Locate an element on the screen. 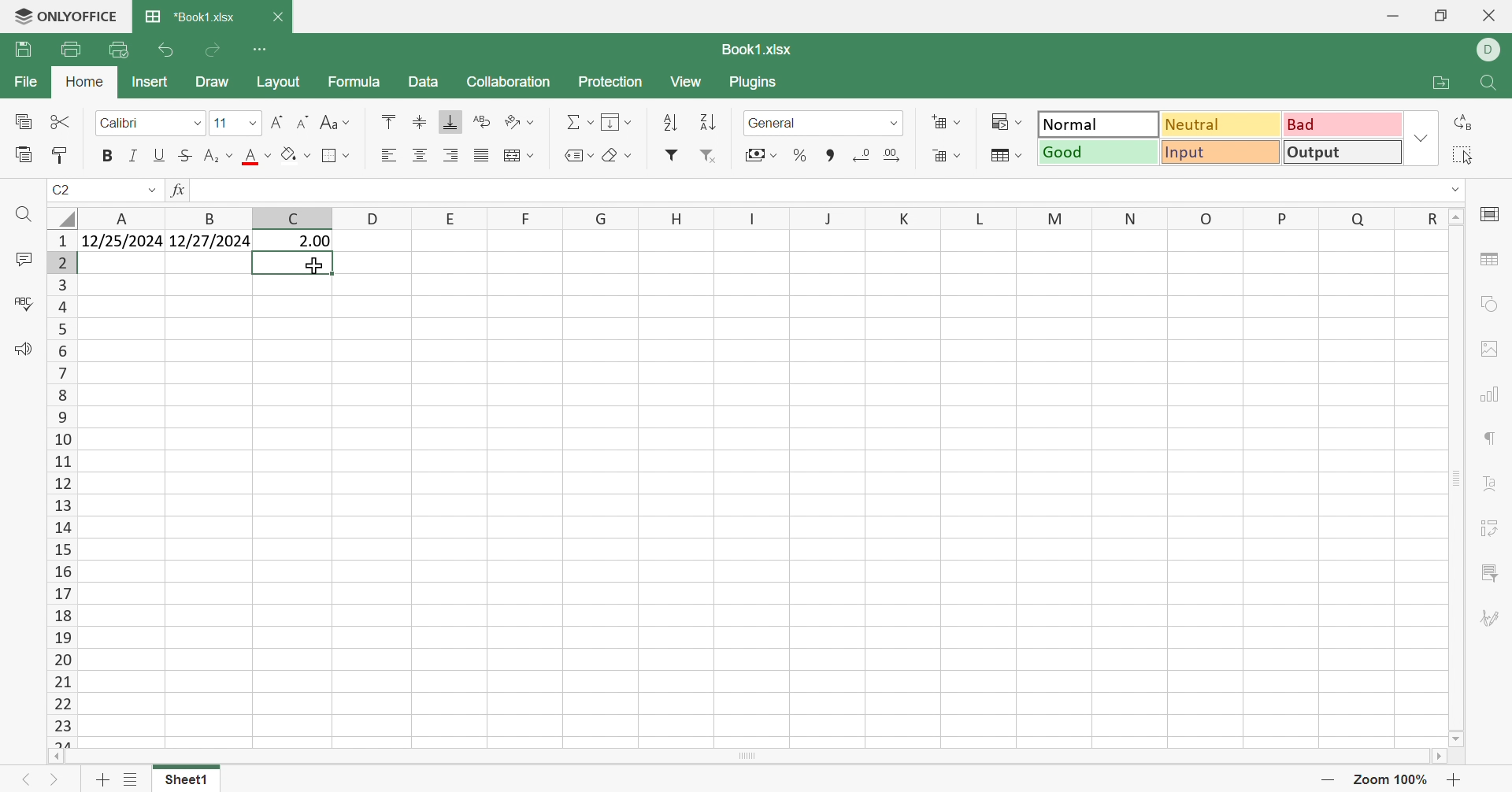 The height and width of the screenshot is (792, 1512). Percent style is located at coordinates (802, 155).